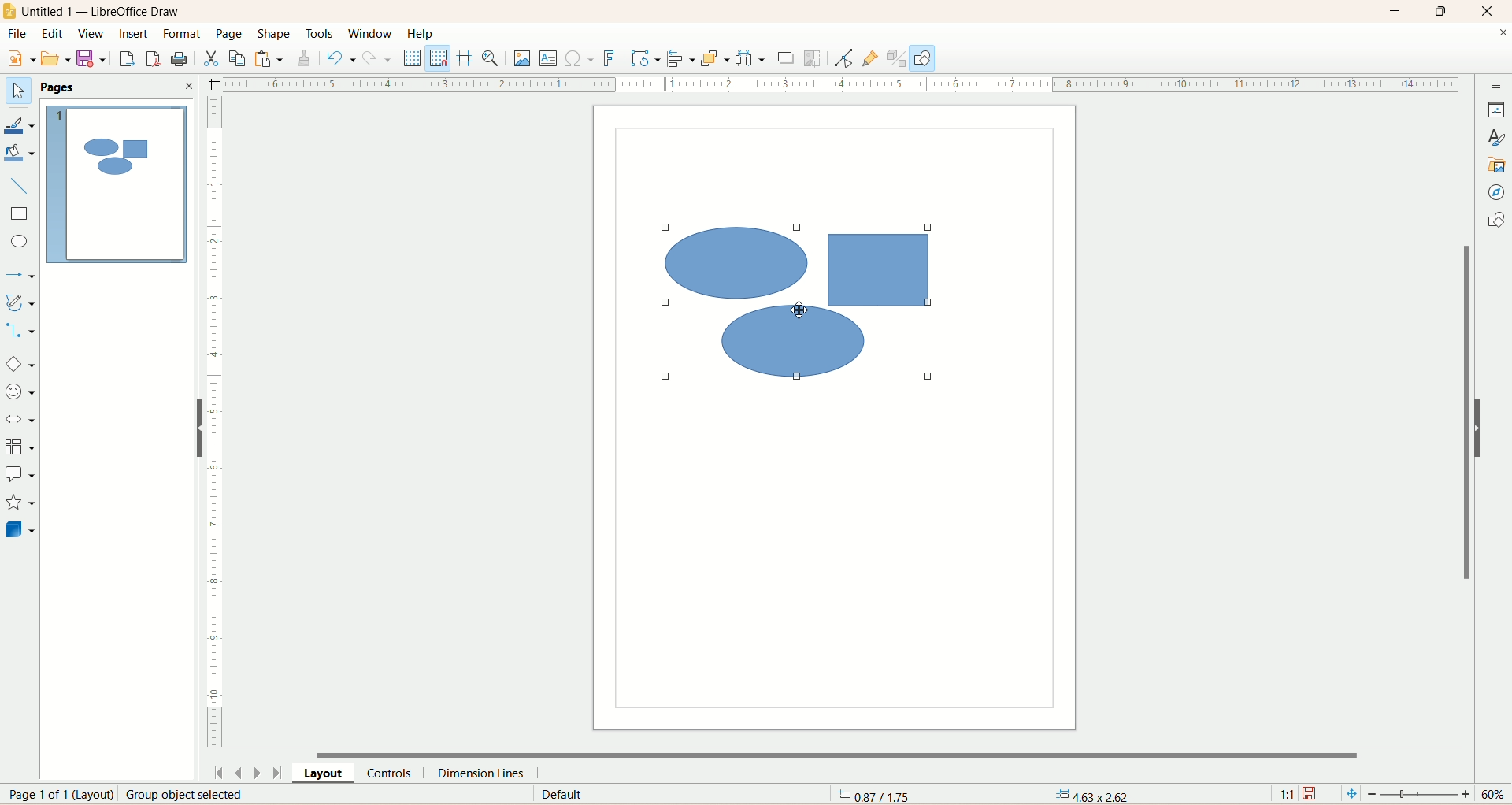 Image resolution: width=1512 pixels, height=805 pixels. I want to click on properties, so click(1498, 109).